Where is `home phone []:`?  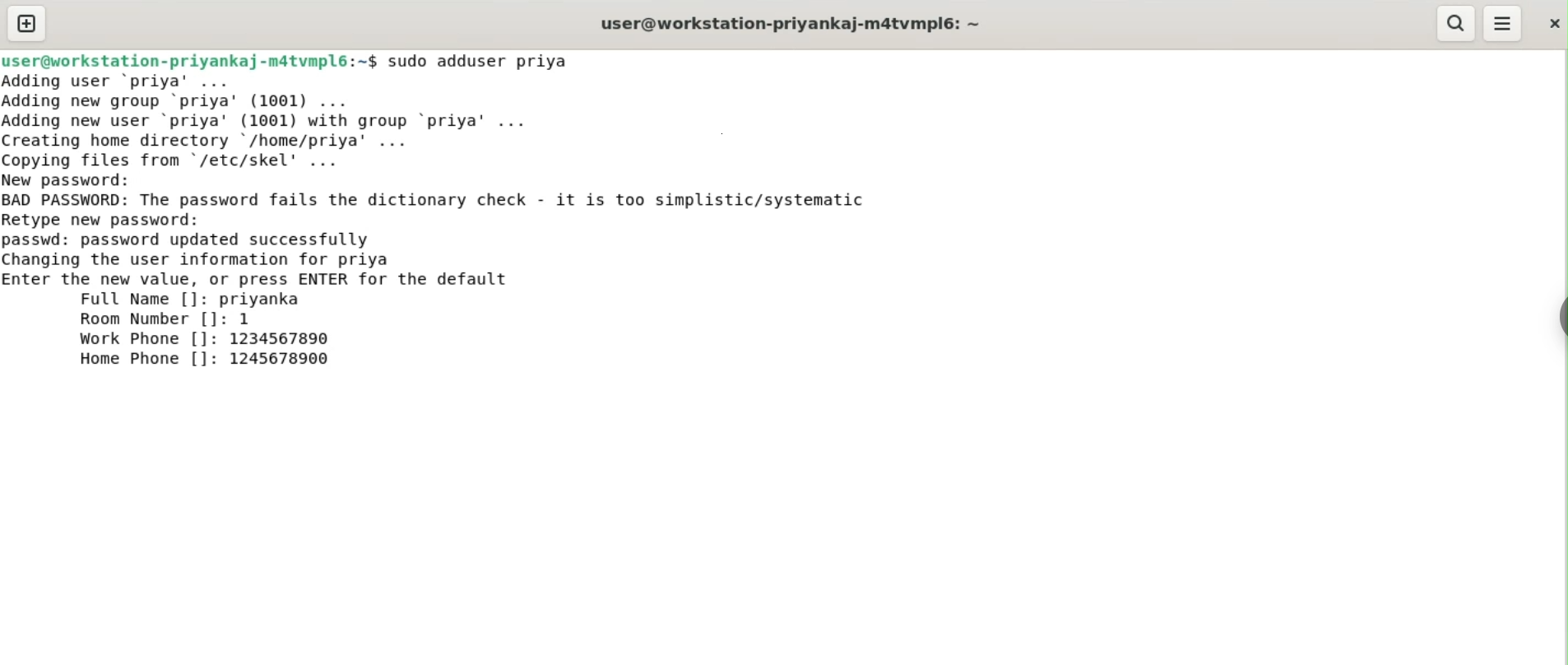
home phone []: is located at coordinates (147, 361).